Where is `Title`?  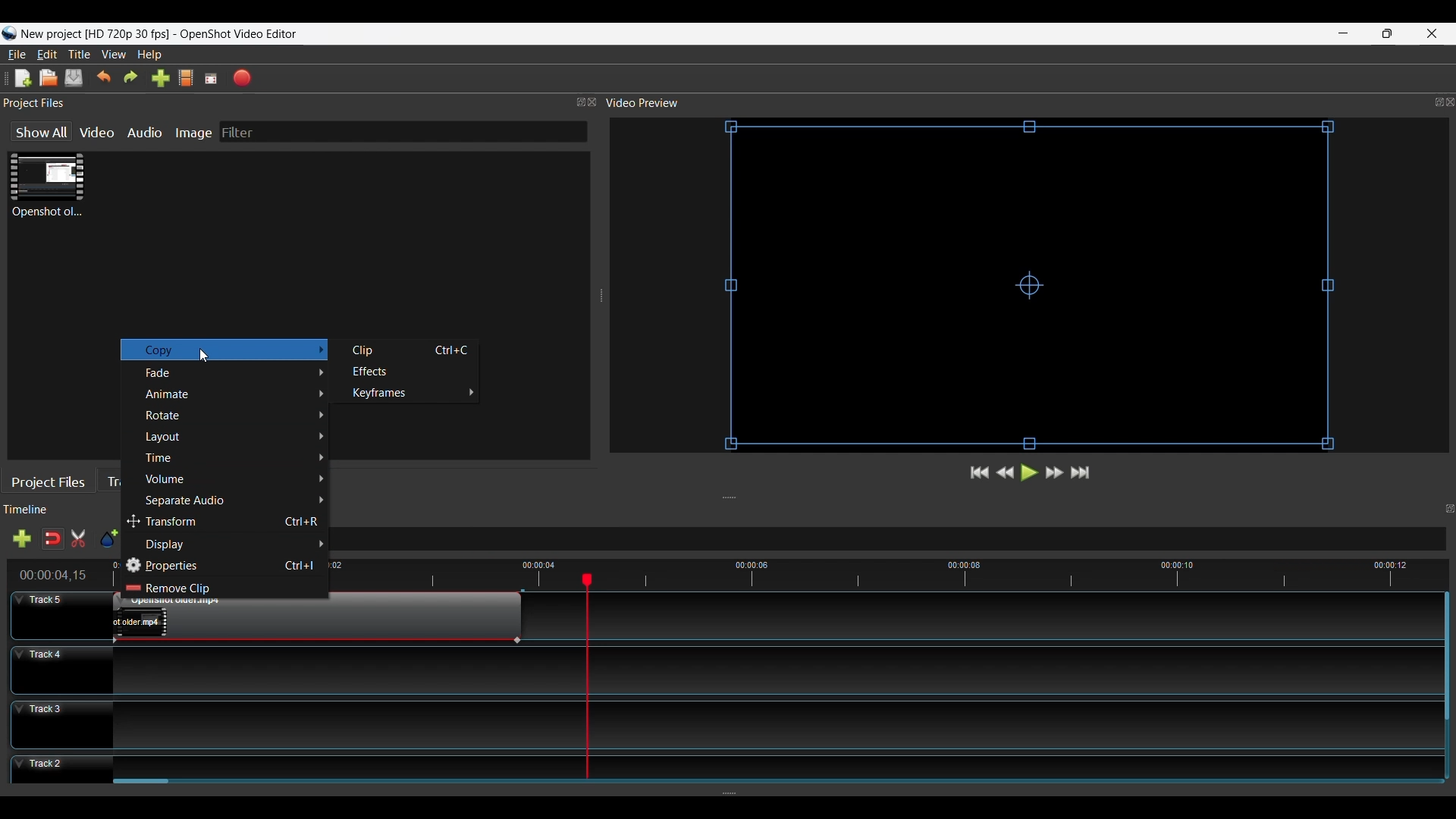 Title is located at coordinates (81, 55).